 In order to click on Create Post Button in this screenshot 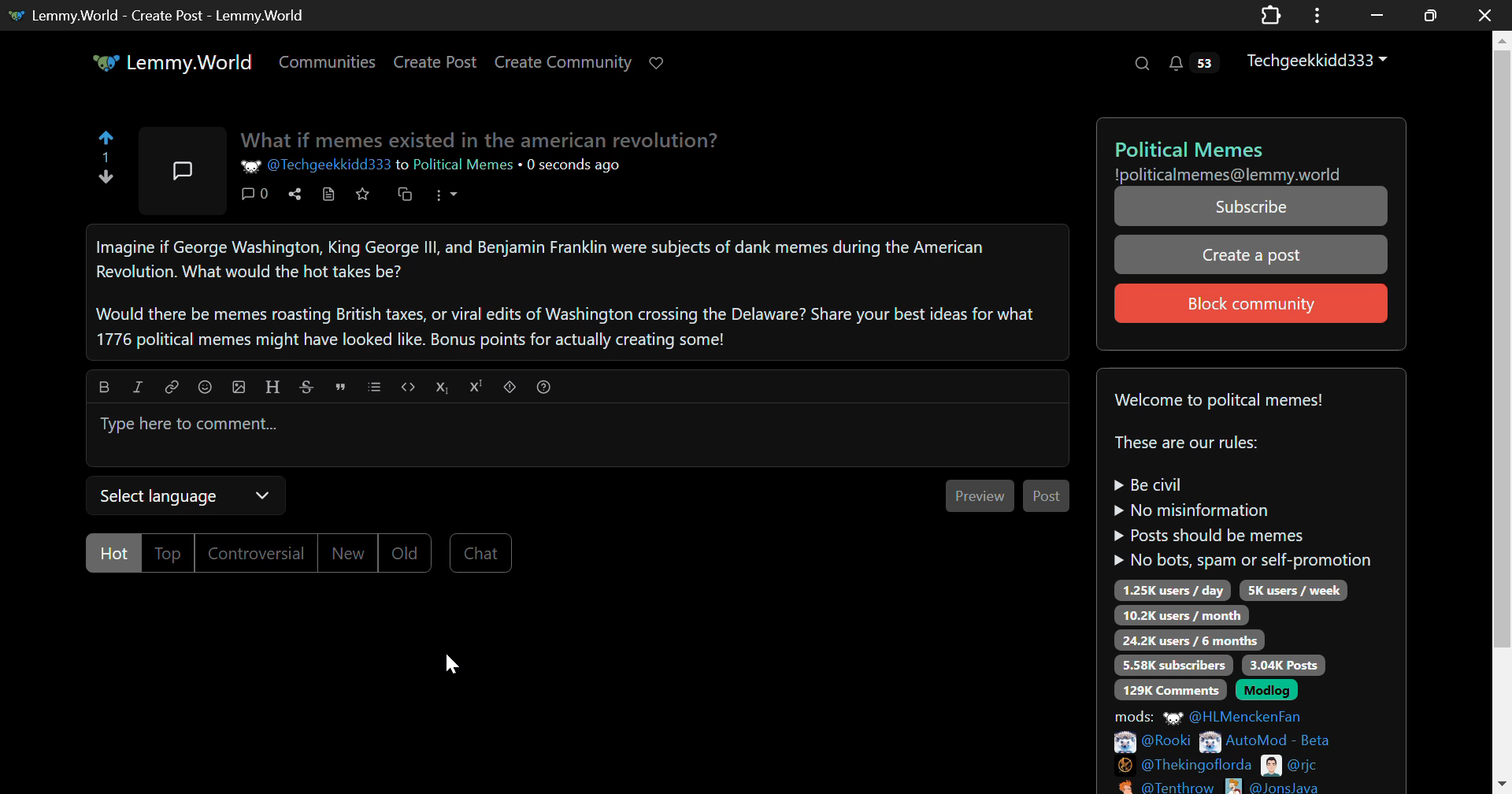, I will do `click(1253, 254)`.